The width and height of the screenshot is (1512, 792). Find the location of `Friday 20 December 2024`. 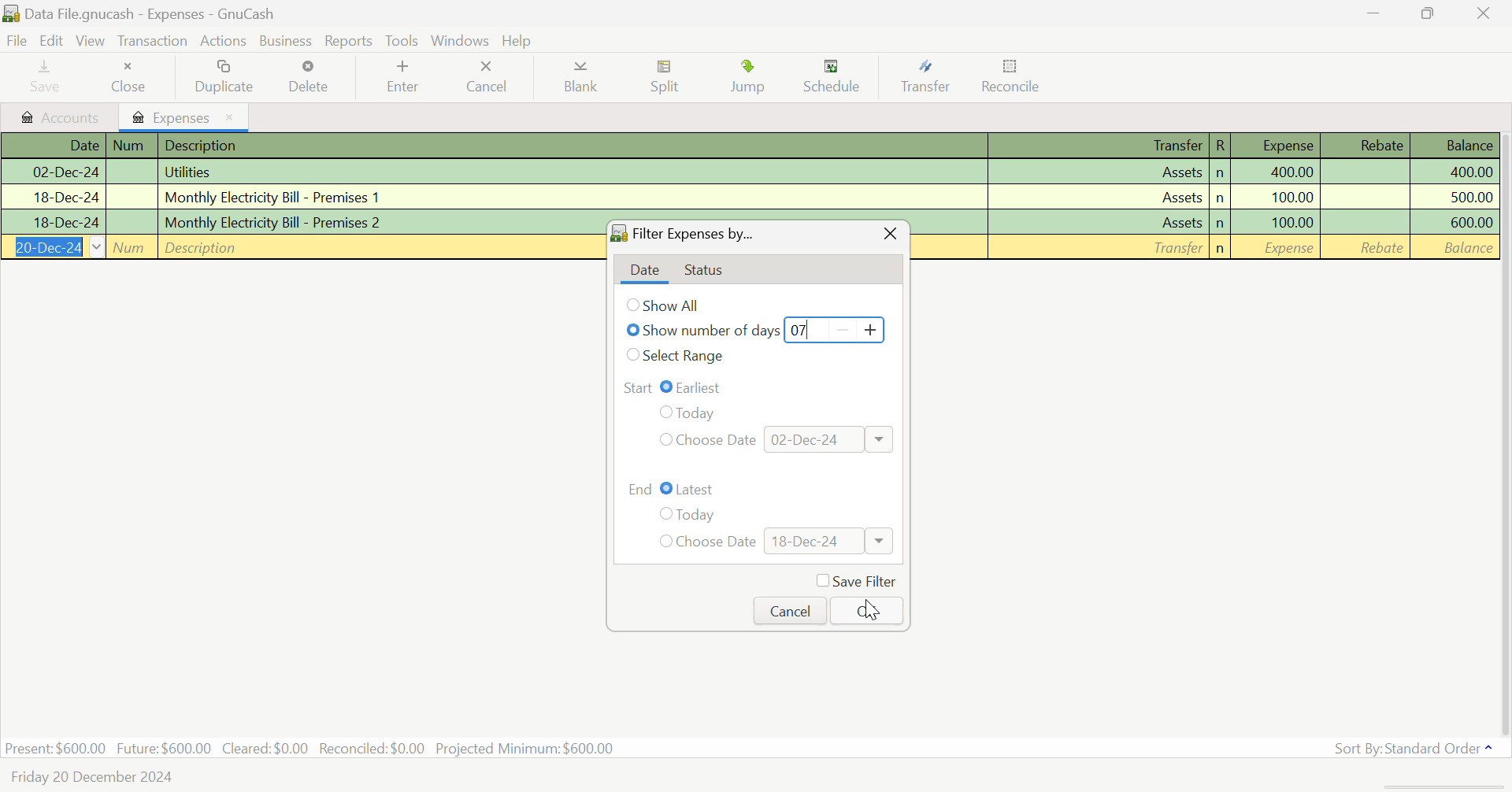

Friday 20 December 2024 is located at coordinates (95, 775).